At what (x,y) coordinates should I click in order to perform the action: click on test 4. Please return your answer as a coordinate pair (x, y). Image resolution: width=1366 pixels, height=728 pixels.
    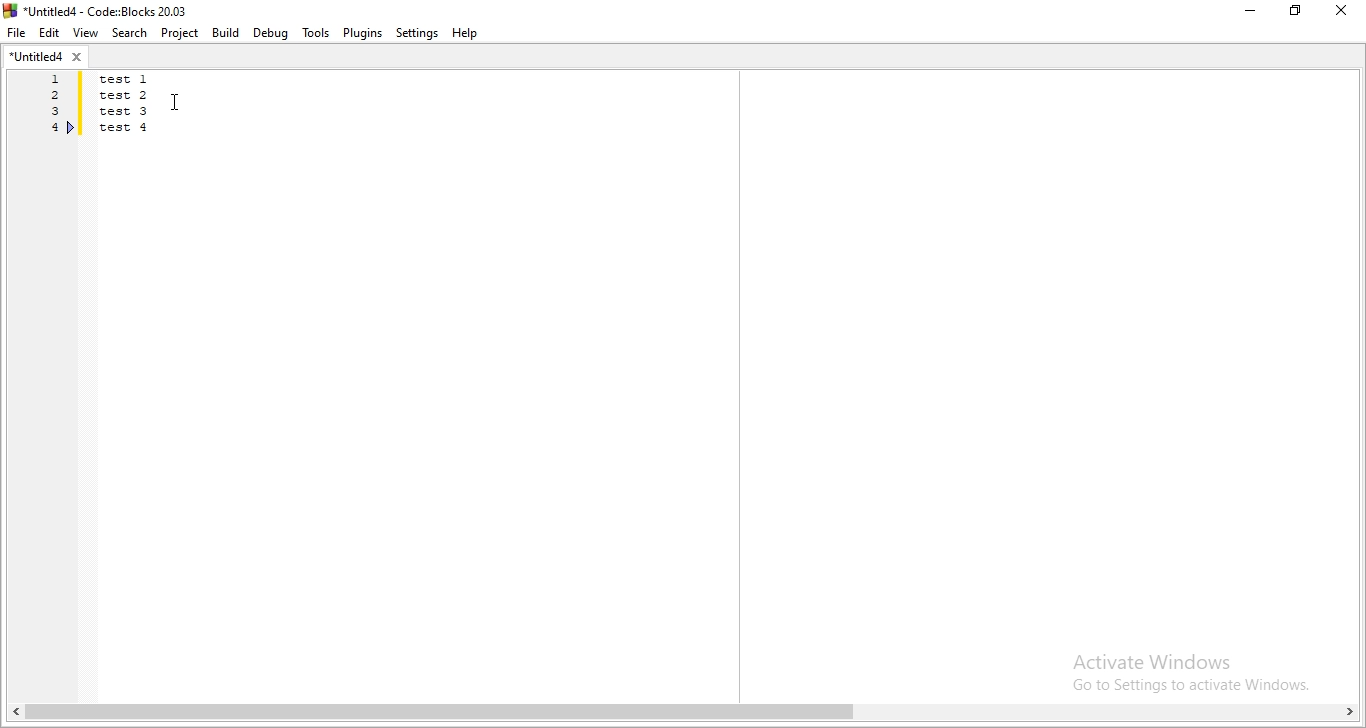
    Looking at the image, I should click on (126, 127).